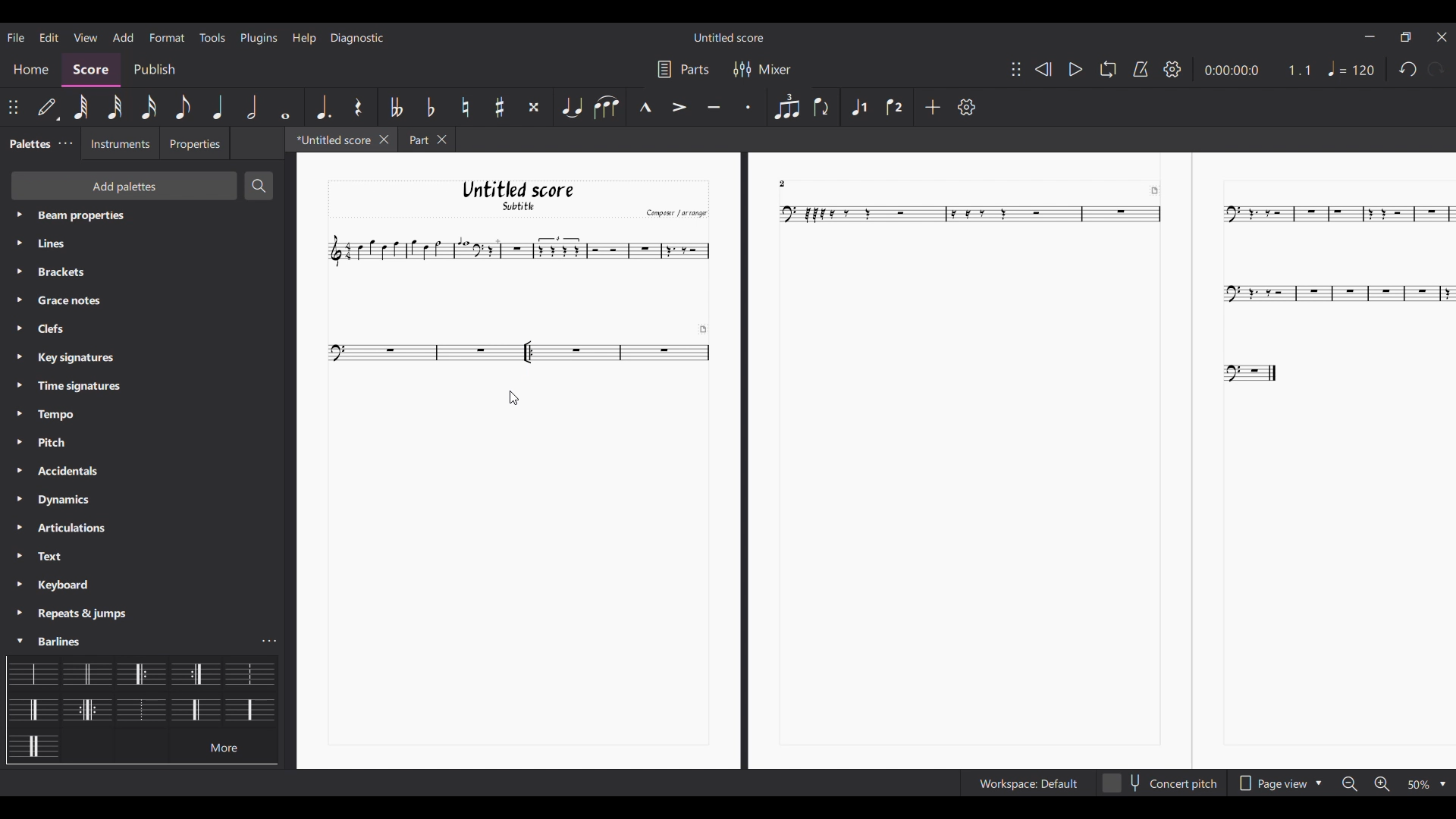 The width and height of the screenshot is (1456, 819). I want to click on Page view options, so click(1278, 783).